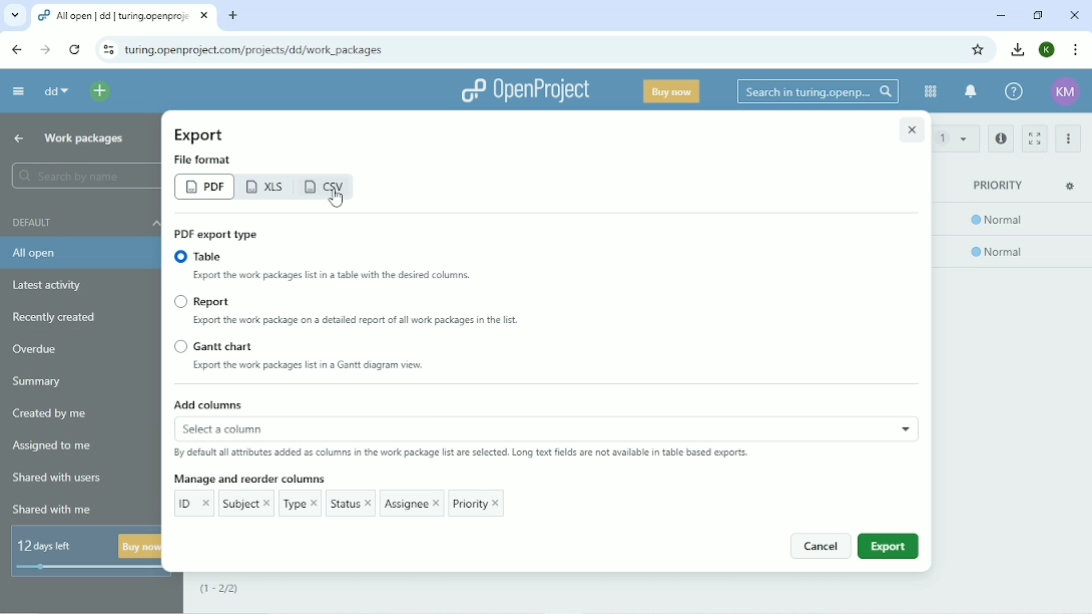  Describe the element at coordinates (42, 49) in the screenshot. I see `Forward` at that location.